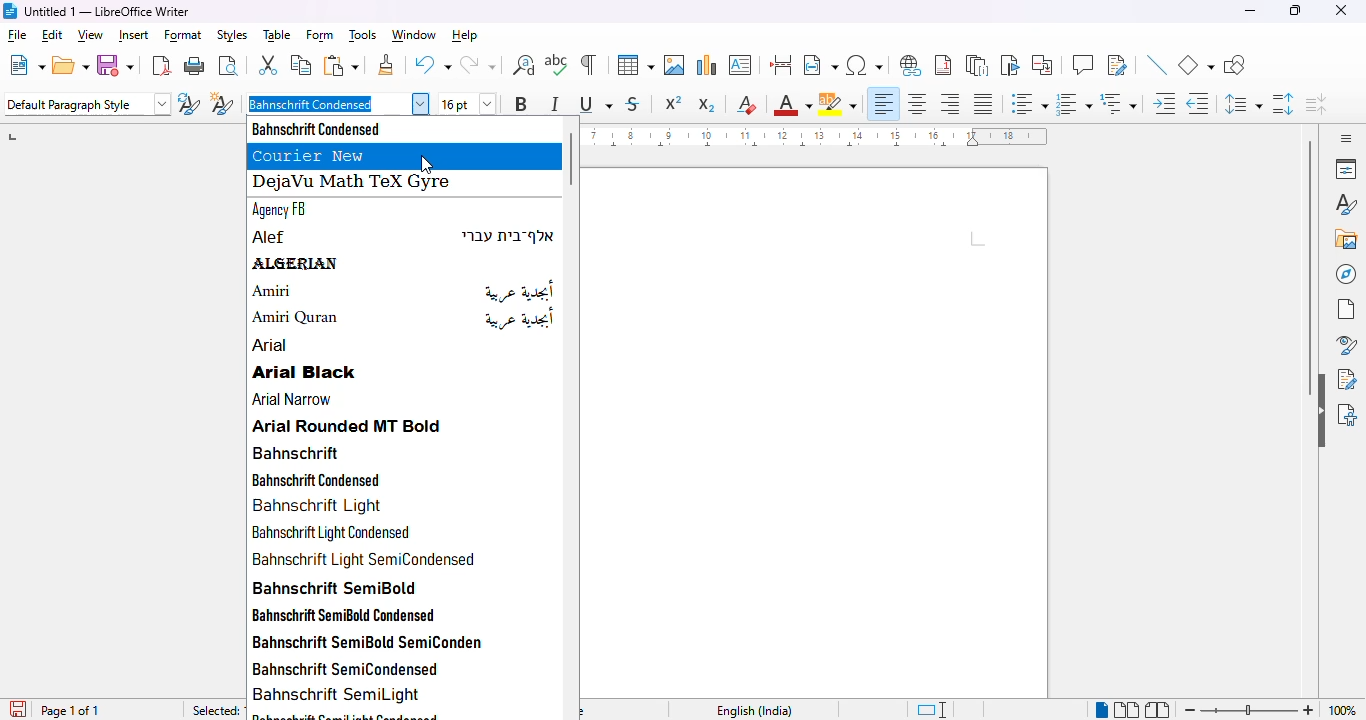 This screenshot has height=720, width=1366. I want to click on align left, so click(885, 104).